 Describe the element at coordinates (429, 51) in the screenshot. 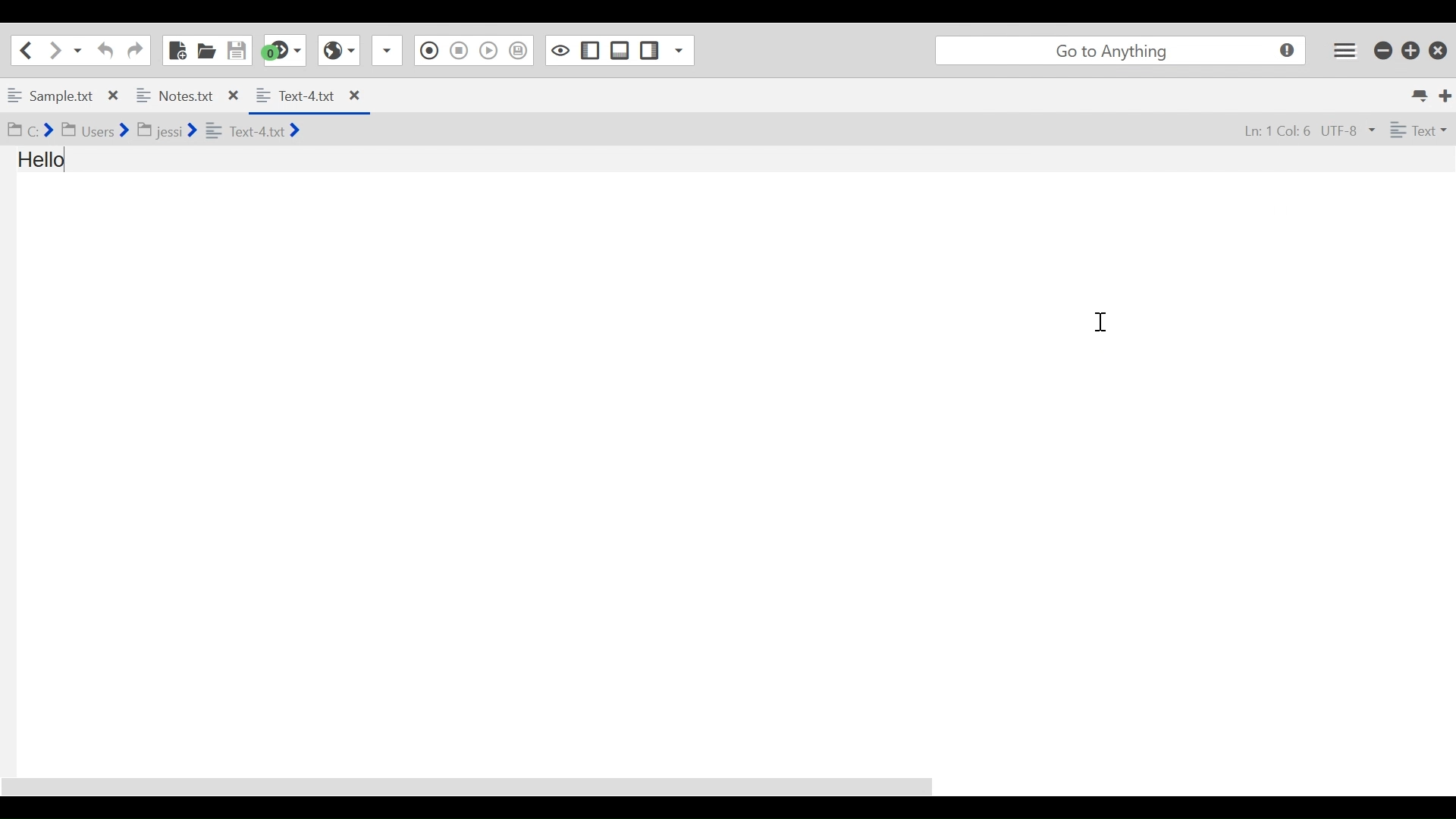

I see `Recording in Macro` at that location.